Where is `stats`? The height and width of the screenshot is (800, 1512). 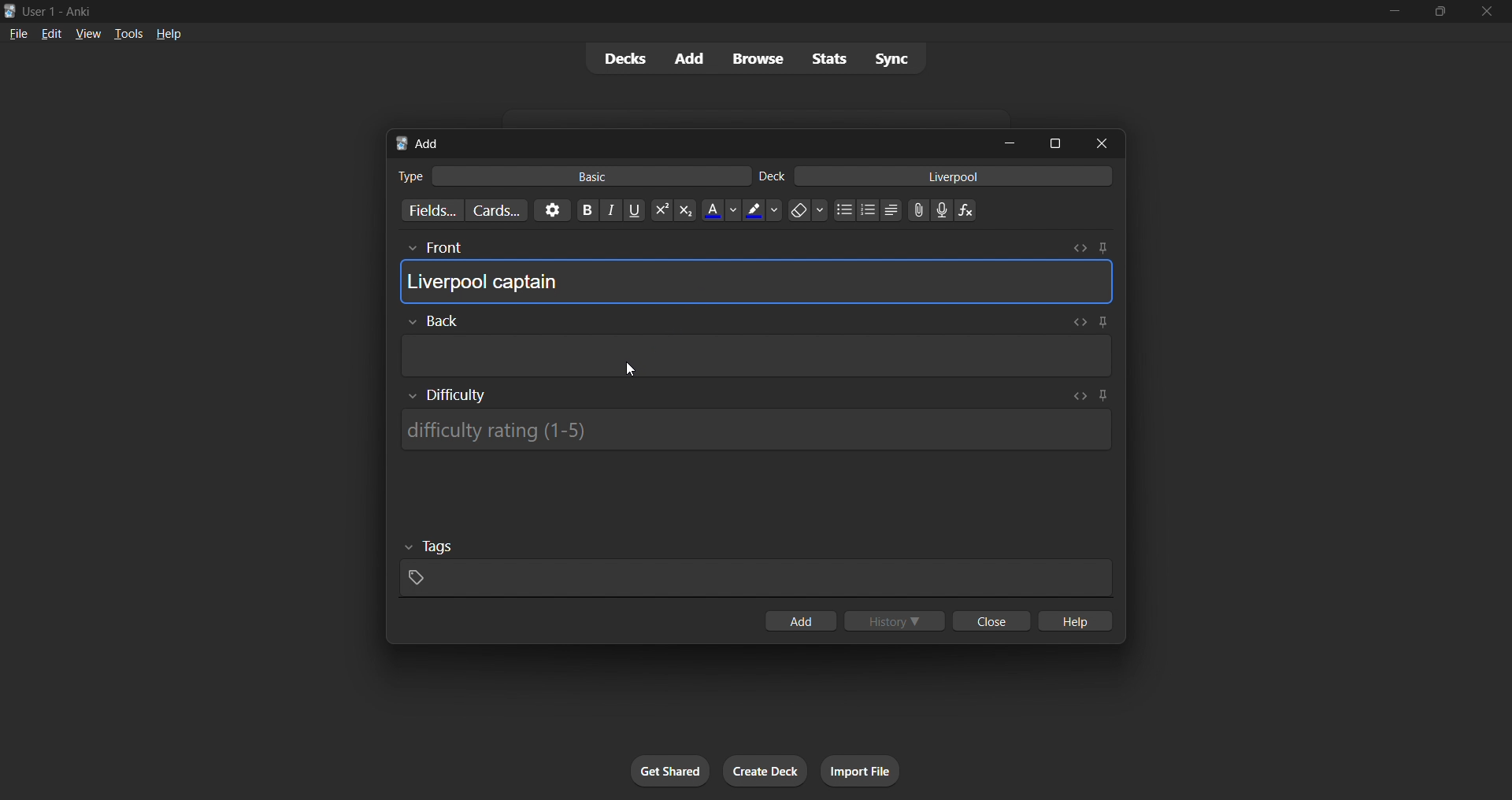
stats is located at coordinates (828, 58).